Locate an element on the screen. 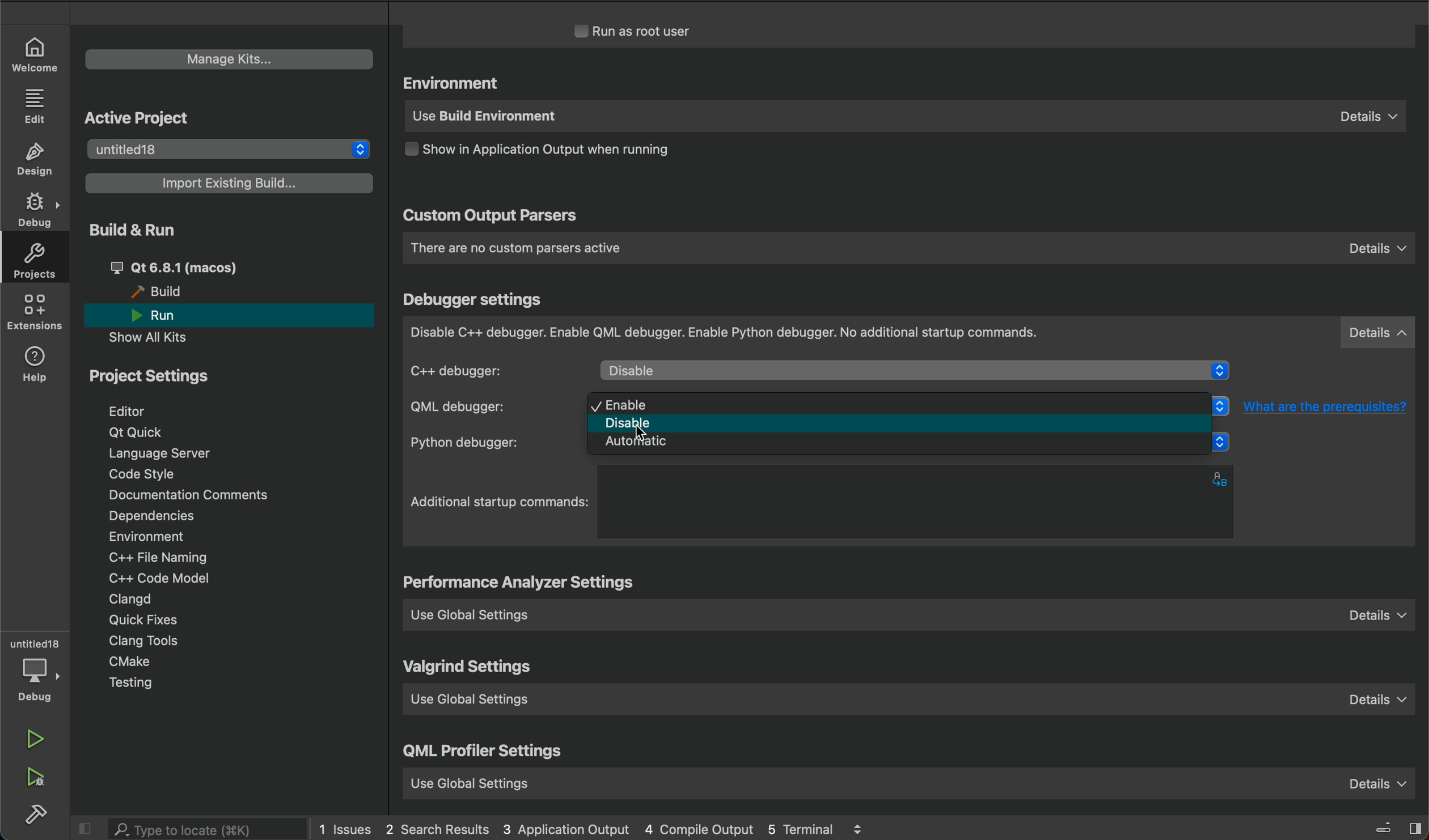 The image size is (1429, 840). dependencies is located at coordinates (150, 515).